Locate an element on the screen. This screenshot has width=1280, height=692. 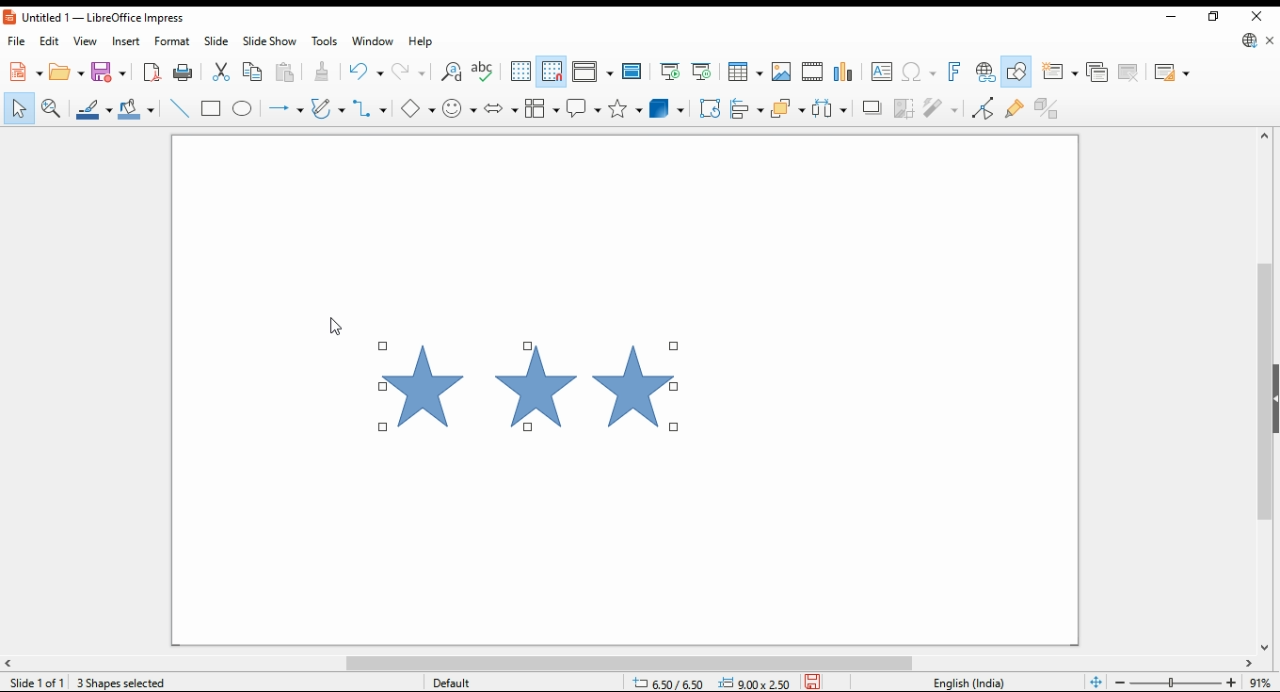
slide show is located at coordinates (268, 42).